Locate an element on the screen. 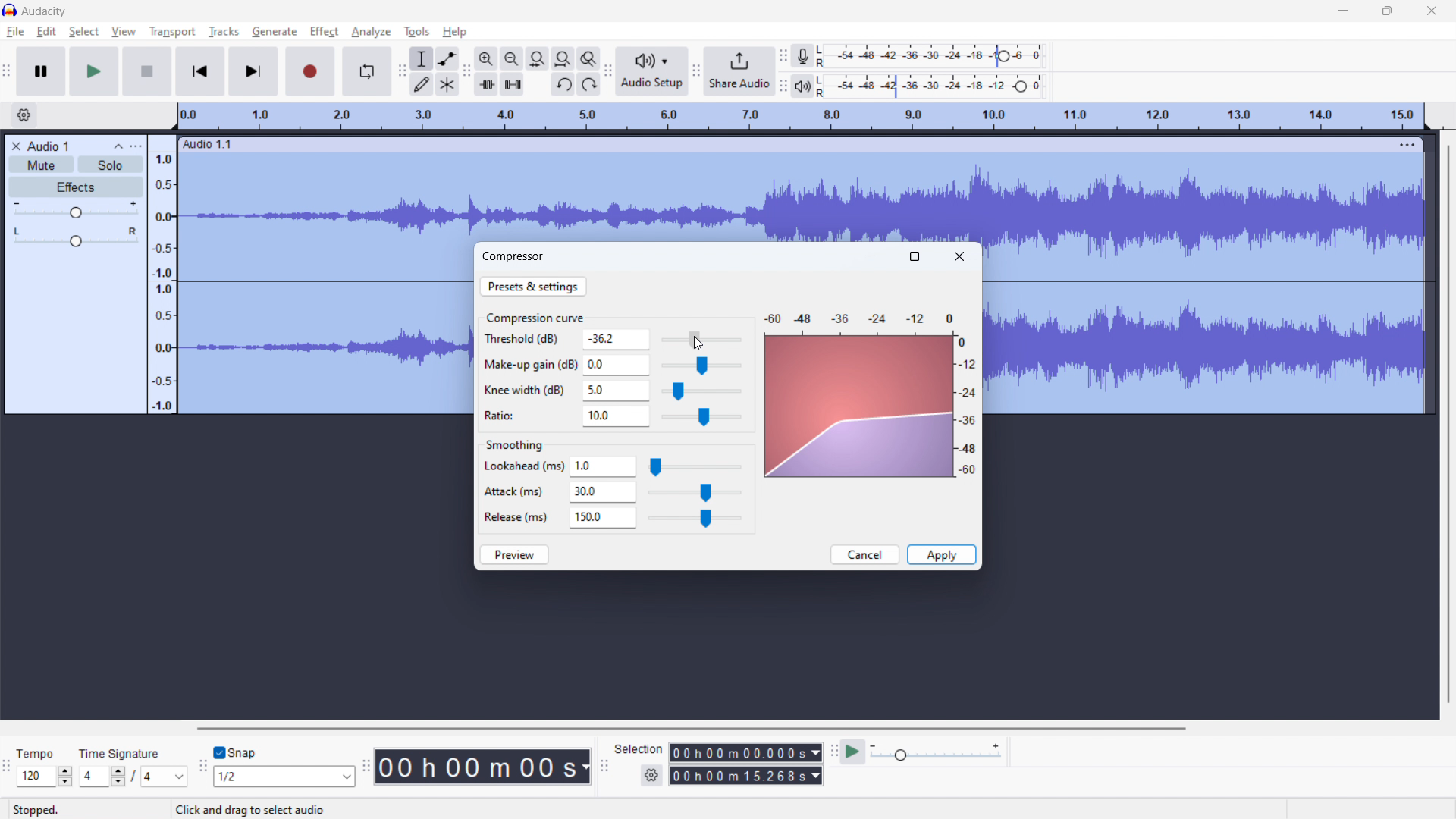 This screenshot has height=819, width=1456. Click and drag to select audio is located at coordinates (243, 809).